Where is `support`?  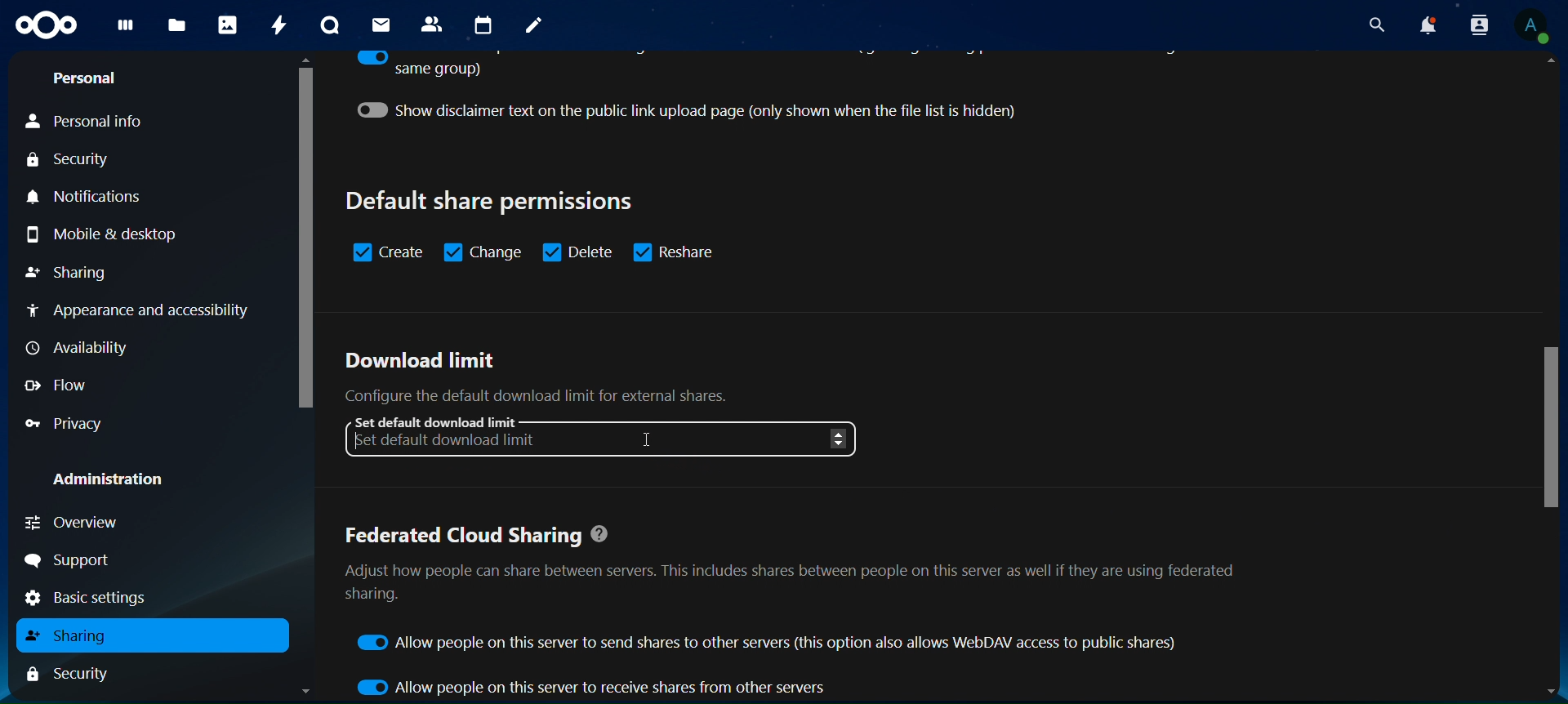
support is located at coordinates (74, 561).